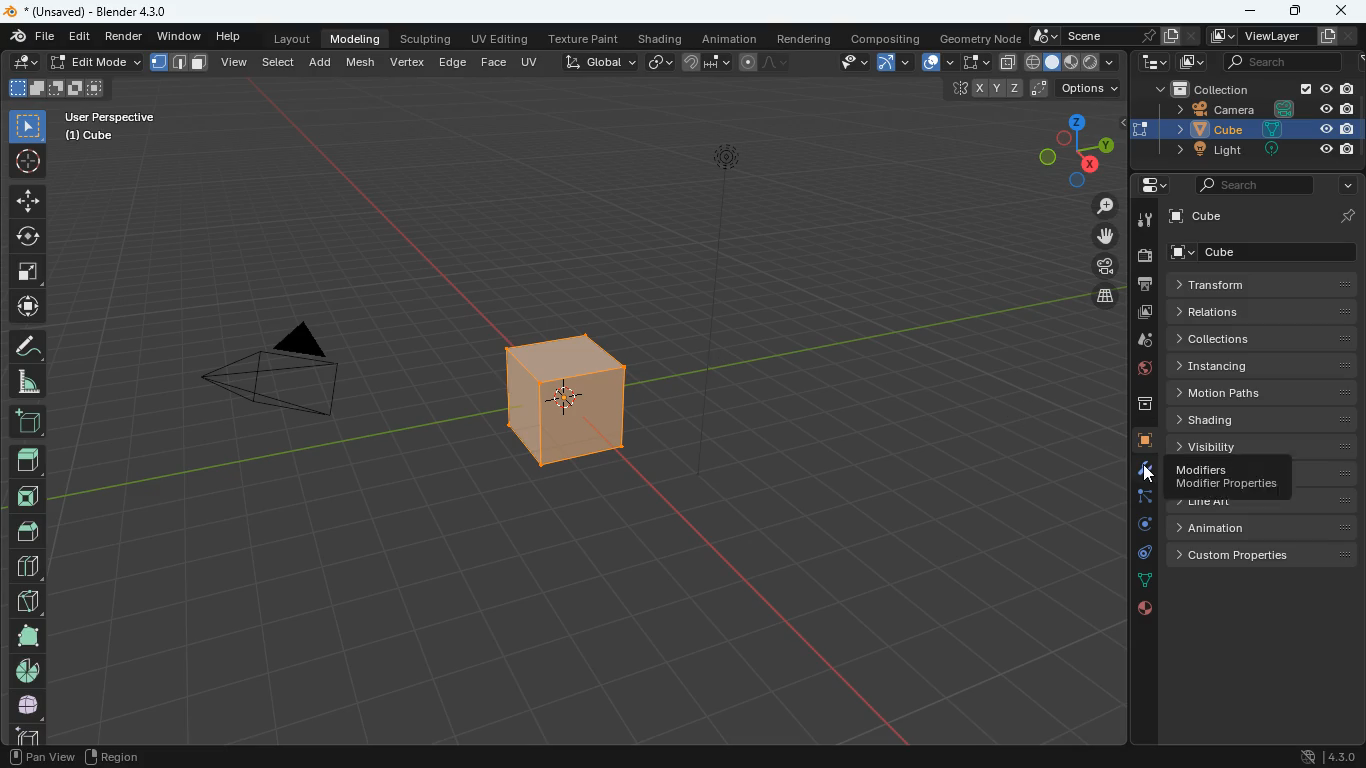 The width and height of the screenshot is (1366, 768). Describe the element at coordinates (1347, 186) in the screenshot. I see `more` at that location.